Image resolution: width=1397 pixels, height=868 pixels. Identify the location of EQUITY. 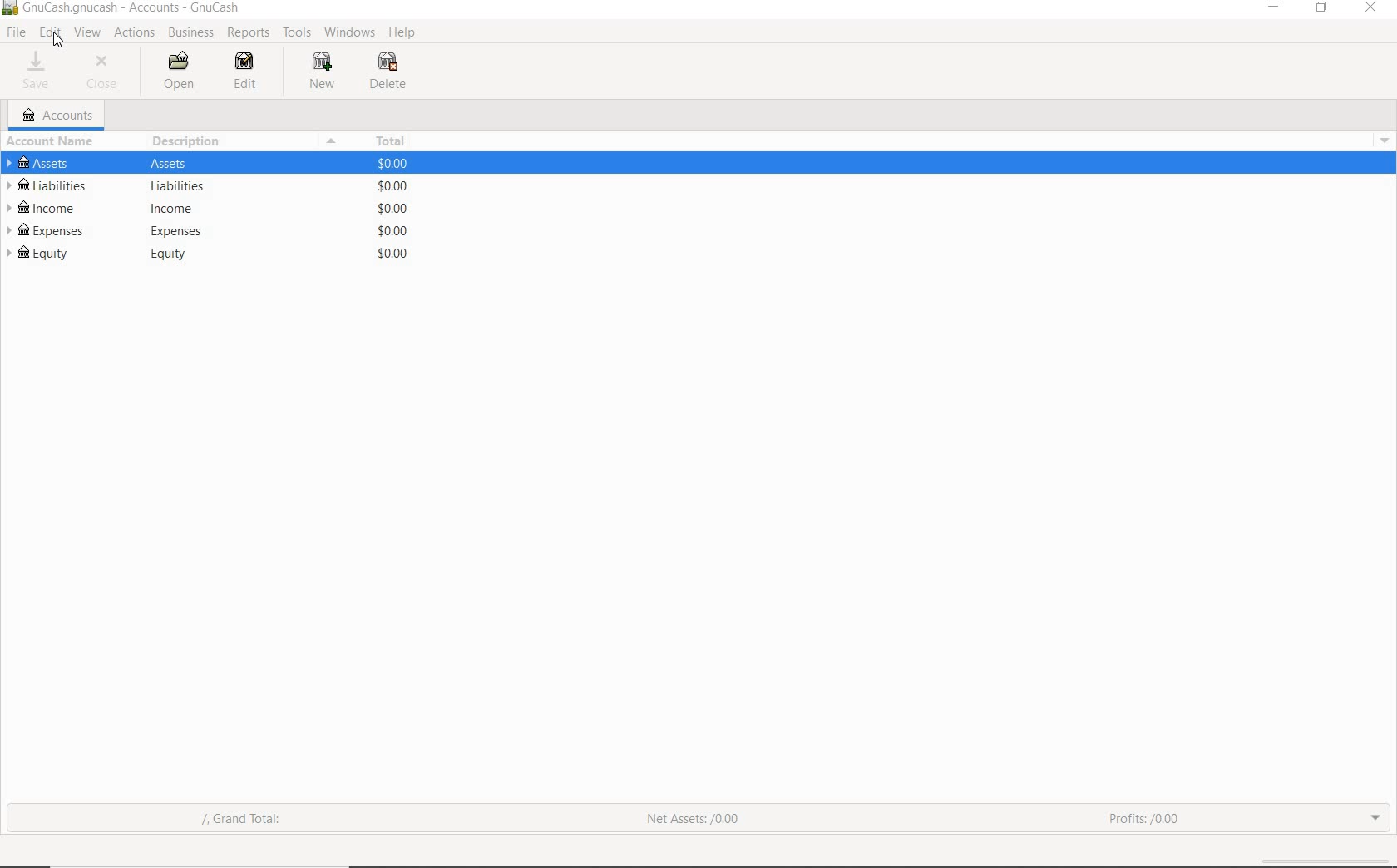
(41, 254).